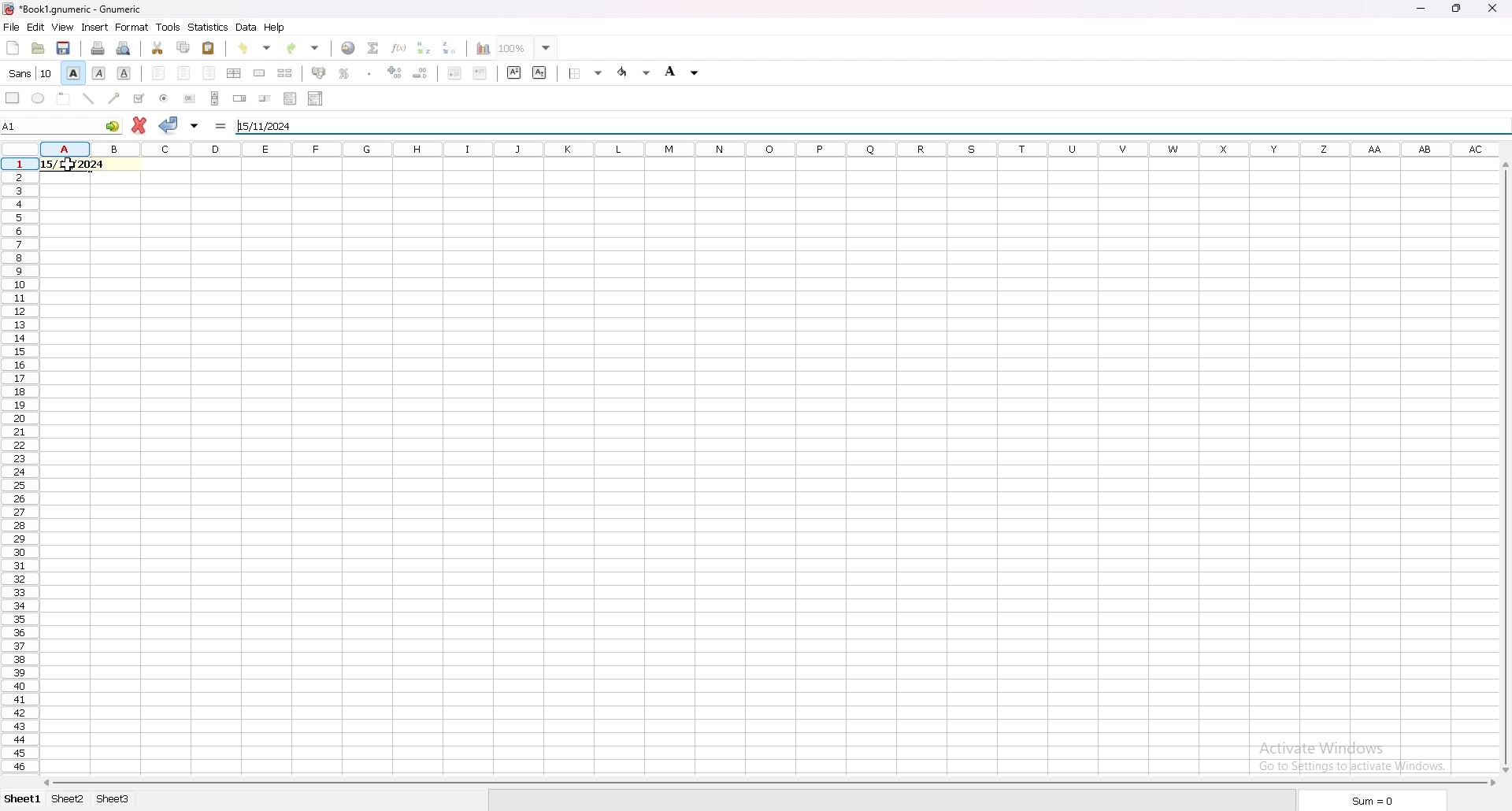 Image resolution: width=1512 pixels, height=811 pixels. What do you see at coordinates (215, 98) in the screenshot?
I see `scroll` at bounding box center [215, 98].